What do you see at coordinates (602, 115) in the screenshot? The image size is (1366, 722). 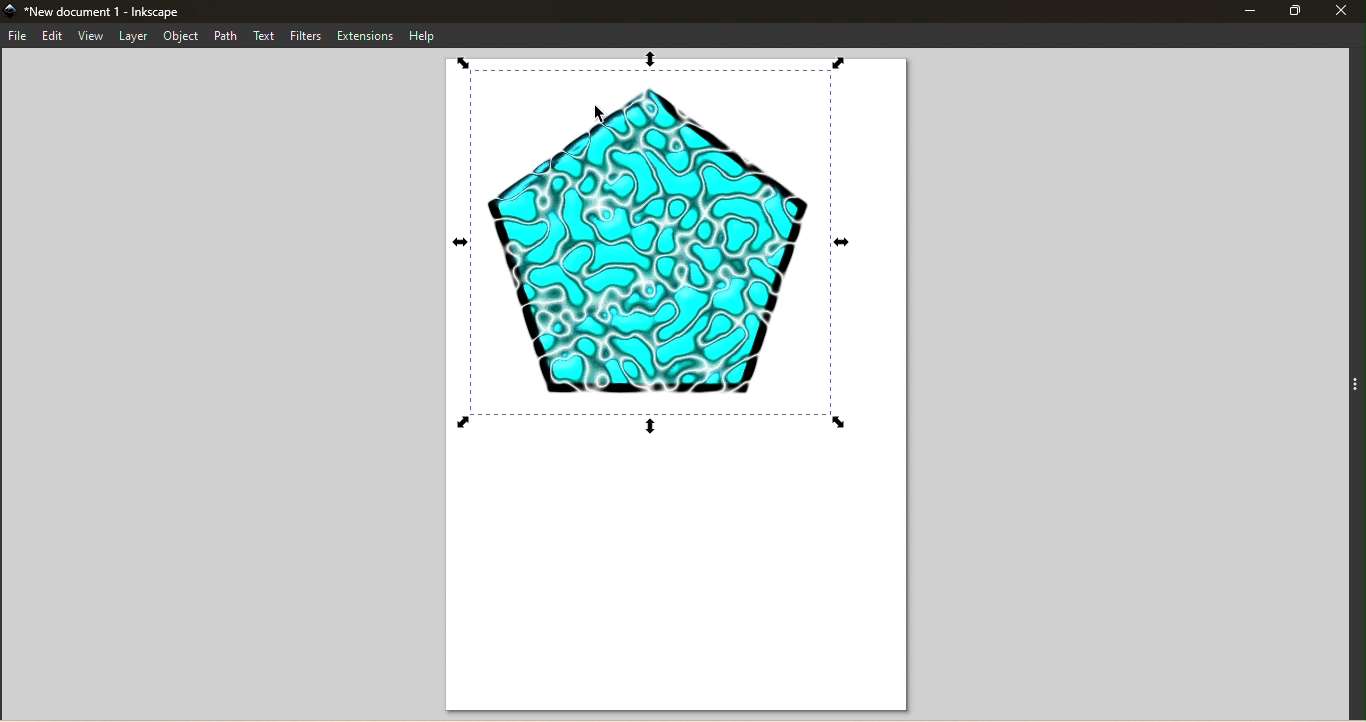 I see `cursor` at bounding box center [602, 115].